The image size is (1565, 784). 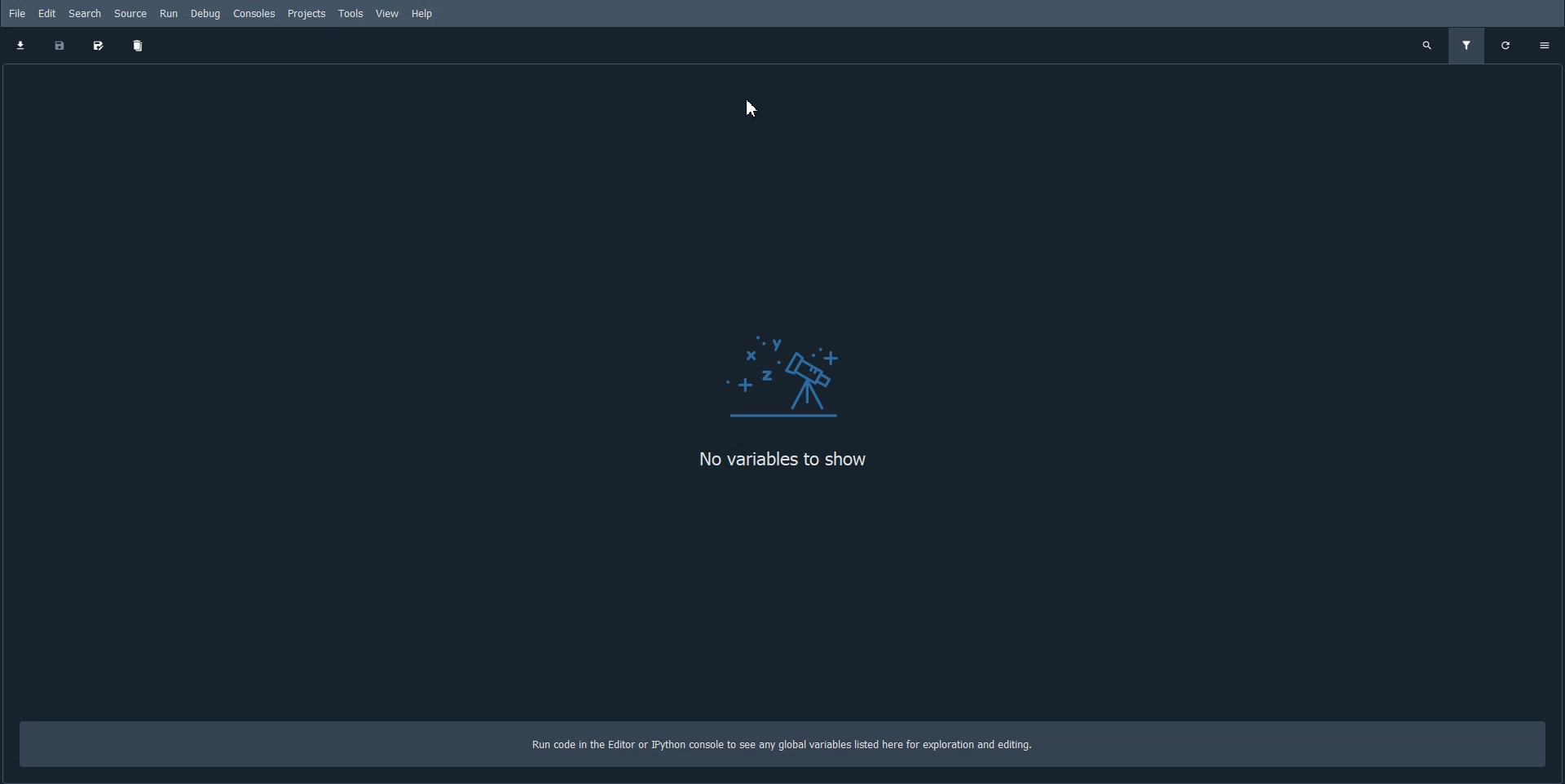 I want to click on Cursor, so click(x=753, y=108).